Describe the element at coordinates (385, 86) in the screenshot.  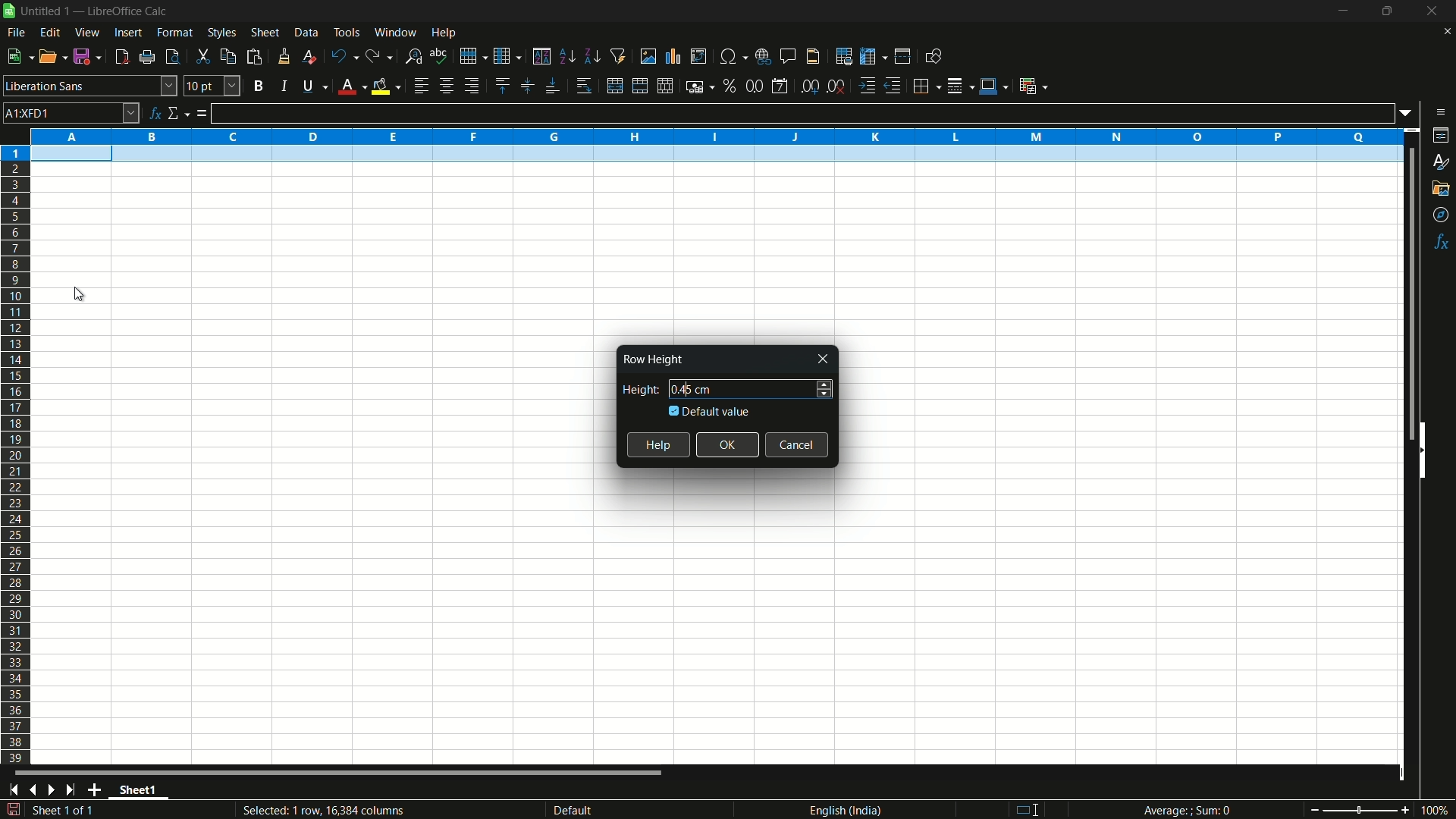
I see `background fill` at that location.